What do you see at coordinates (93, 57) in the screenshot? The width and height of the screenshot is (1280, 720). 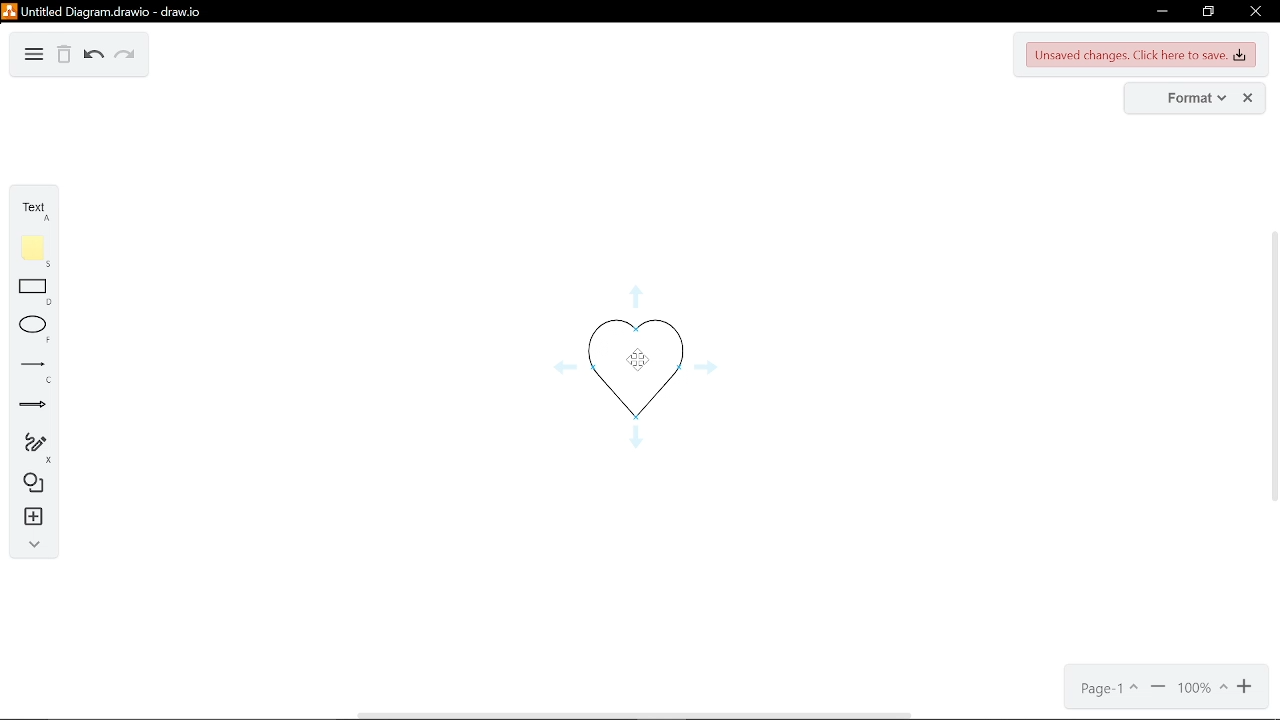 I see `undo` at bounding box center [93, 57].